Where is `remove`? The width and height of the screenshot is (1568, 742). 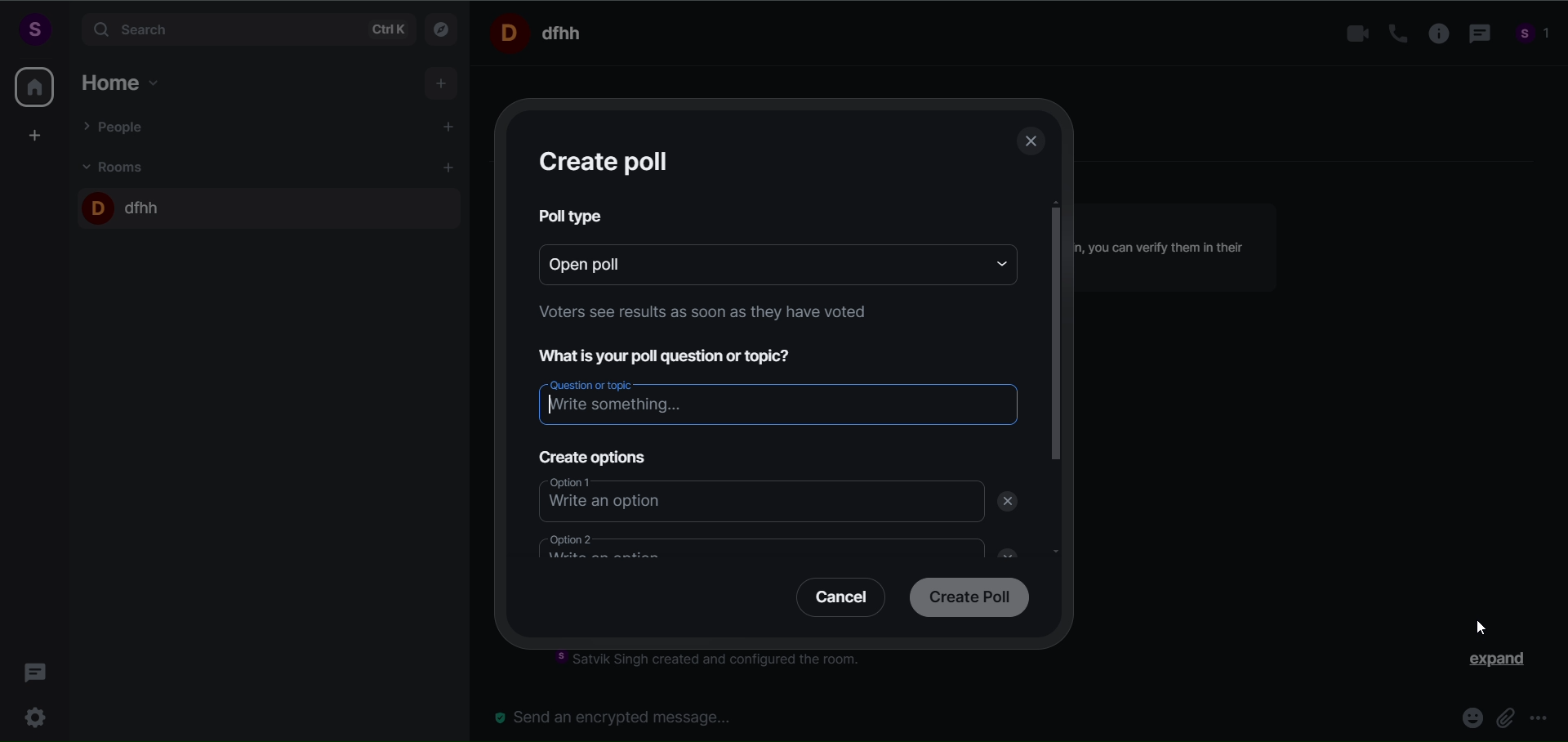 remove is located at coordinates (1011, 502).